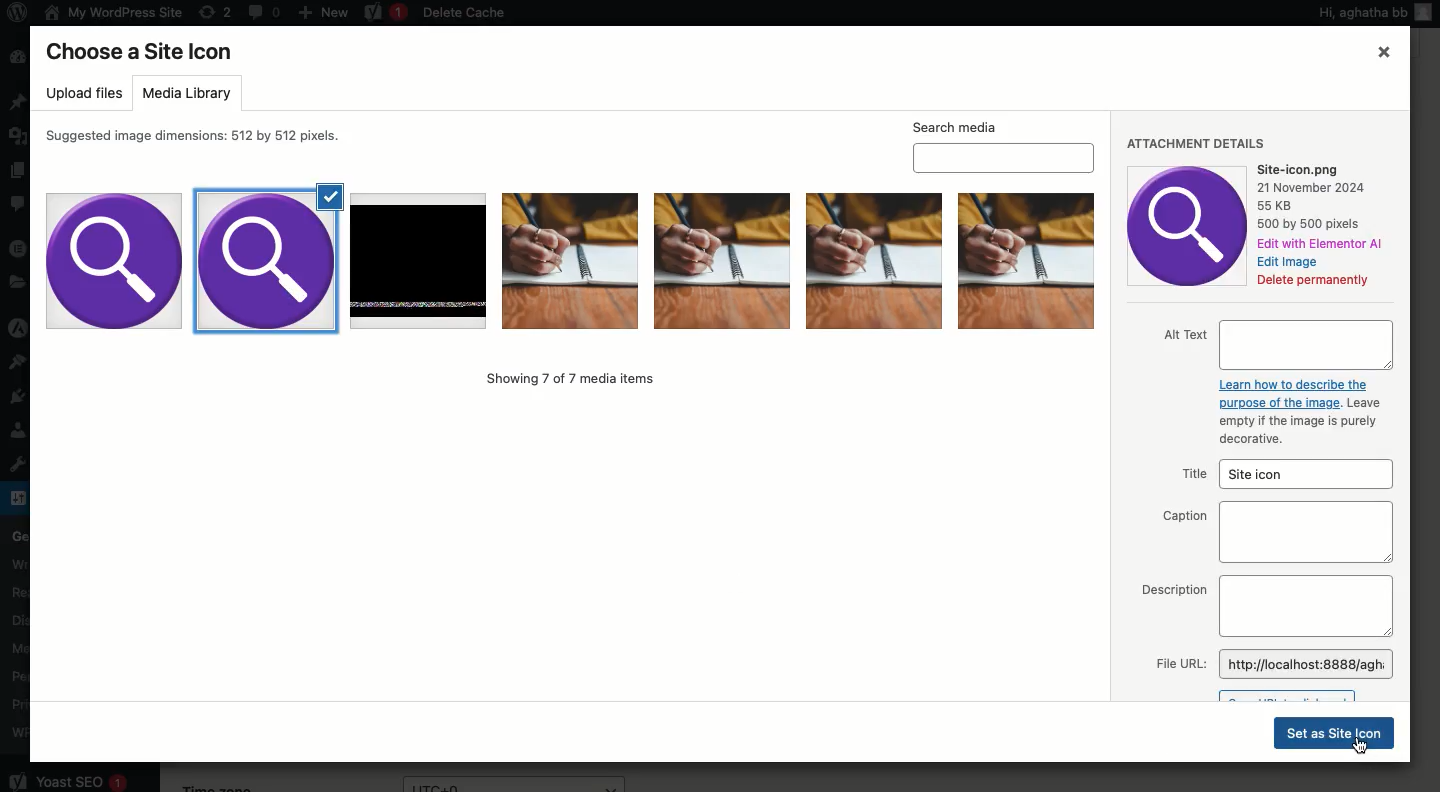  I want to click on Close, so click(1383, 53).